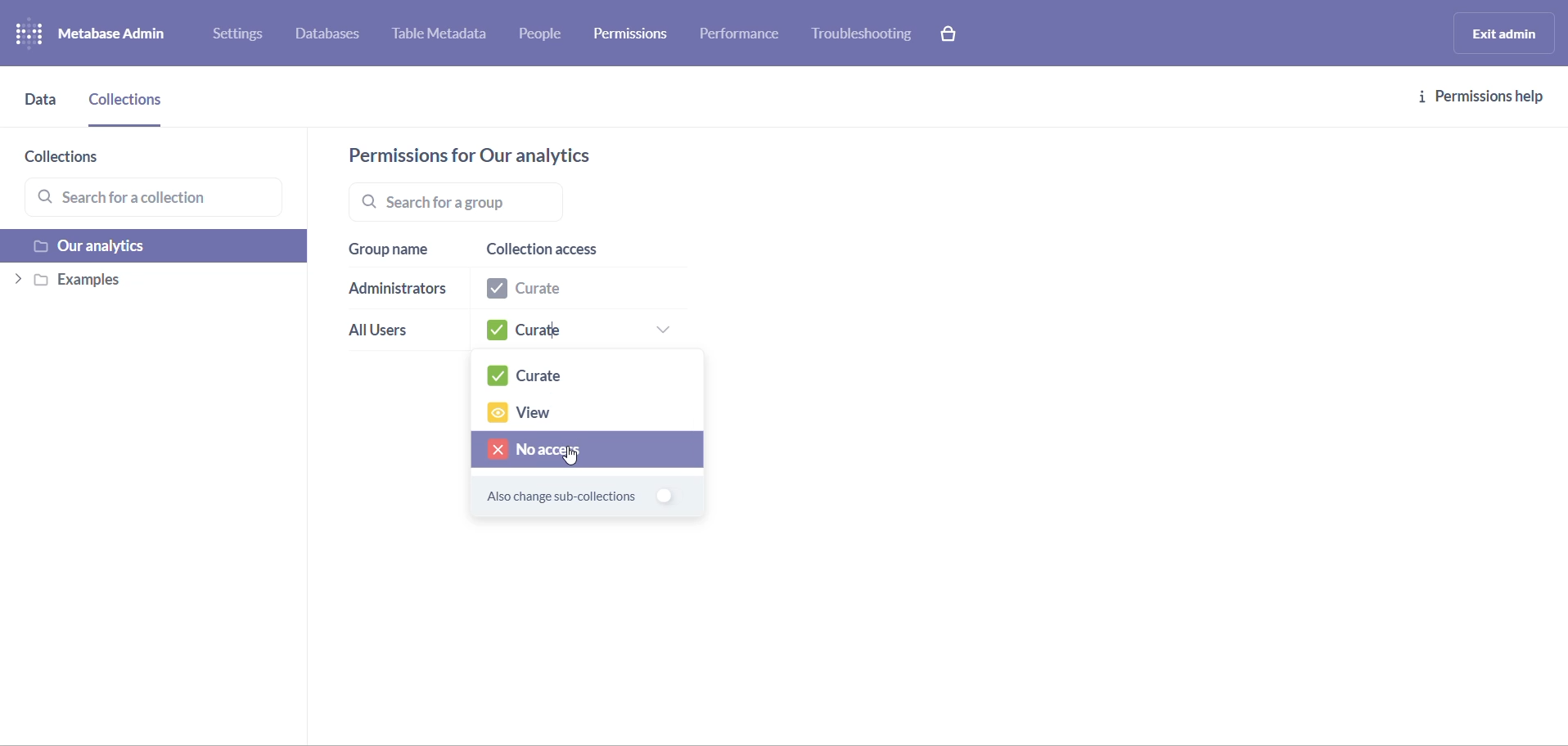 The image size is (1568, 746). I want to click on curate, so click(589, 375).